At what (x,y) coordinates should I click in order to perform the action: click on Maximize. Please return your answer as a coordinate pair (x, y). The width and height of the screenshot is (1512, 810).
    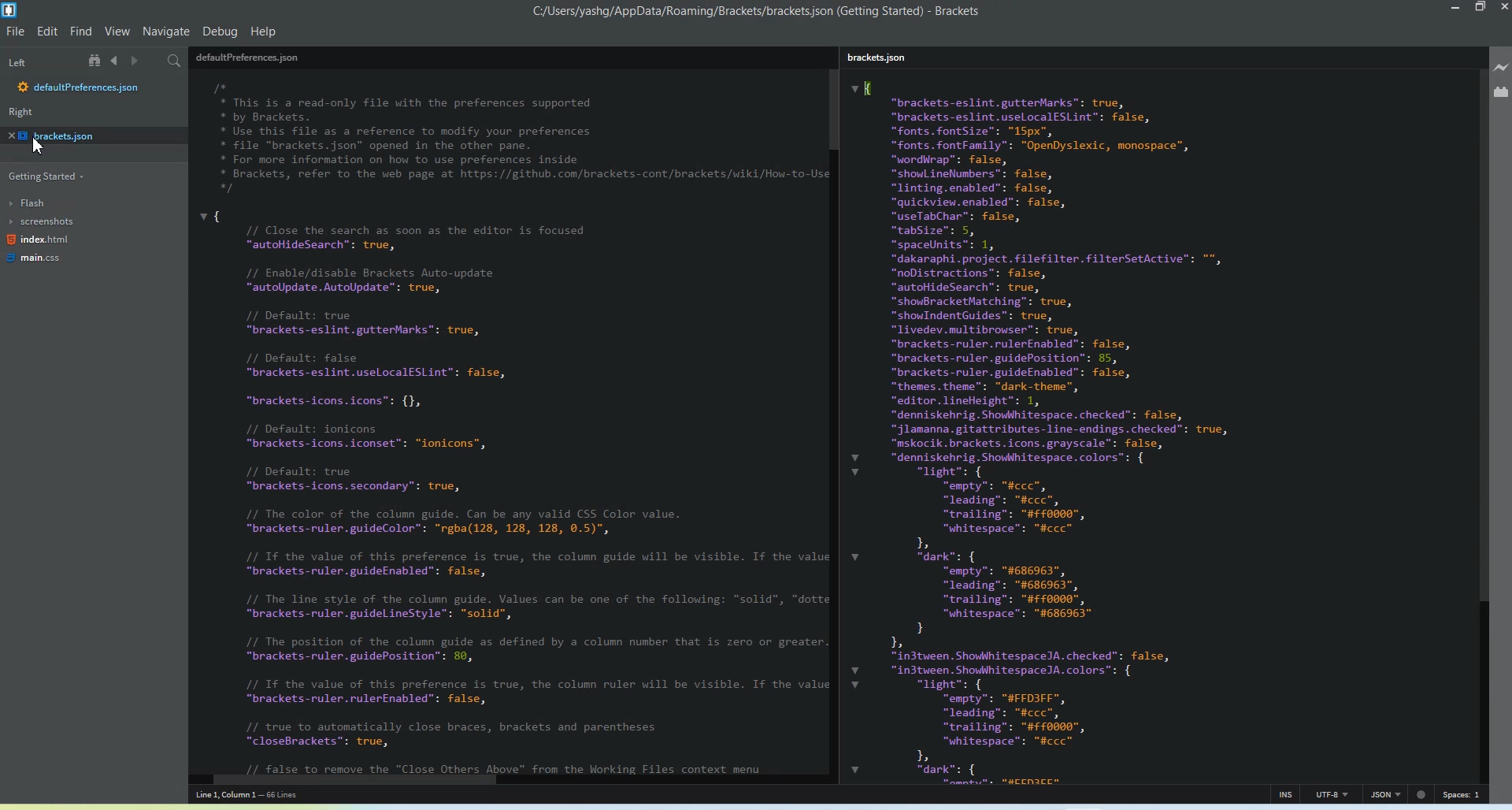
    Looking at the image, I should click on (1481, 8).